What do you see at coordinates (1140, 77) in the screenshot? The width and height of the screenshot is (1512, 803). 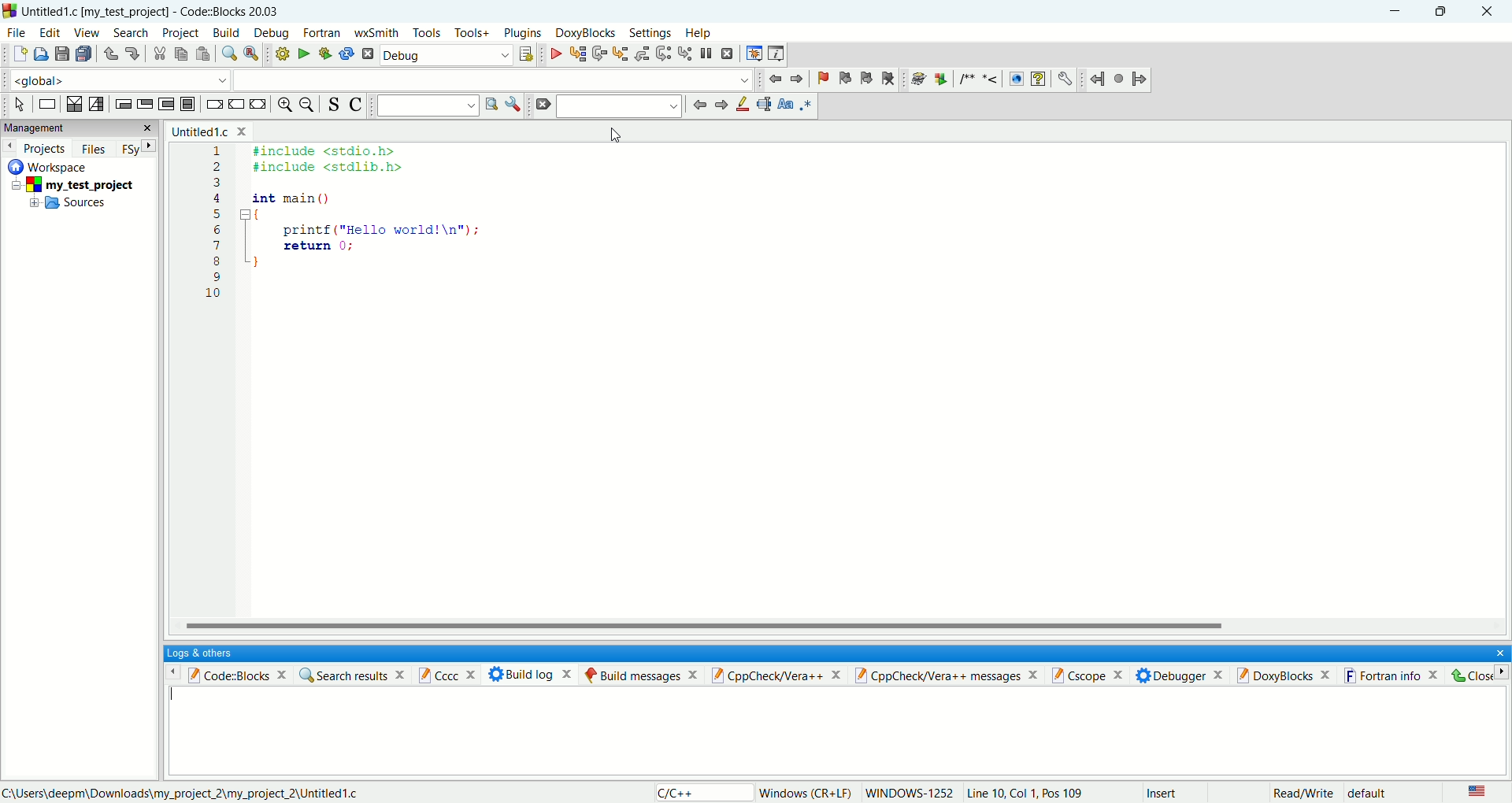 I see `jump forward` at bounding box center [1140, 77].